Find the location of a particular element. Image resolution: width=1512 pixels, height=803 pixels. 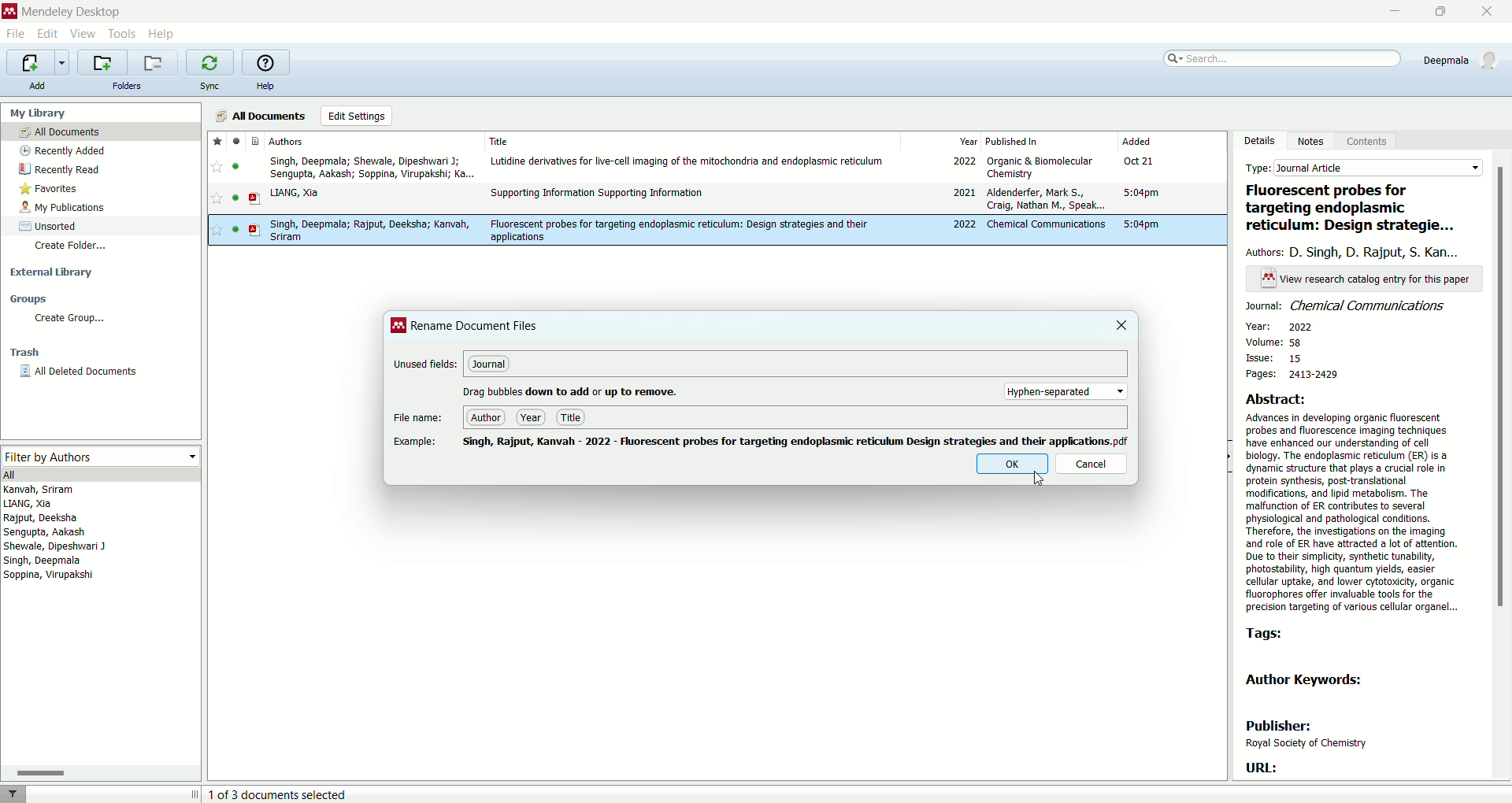

file is located at coordinates (17, 34).